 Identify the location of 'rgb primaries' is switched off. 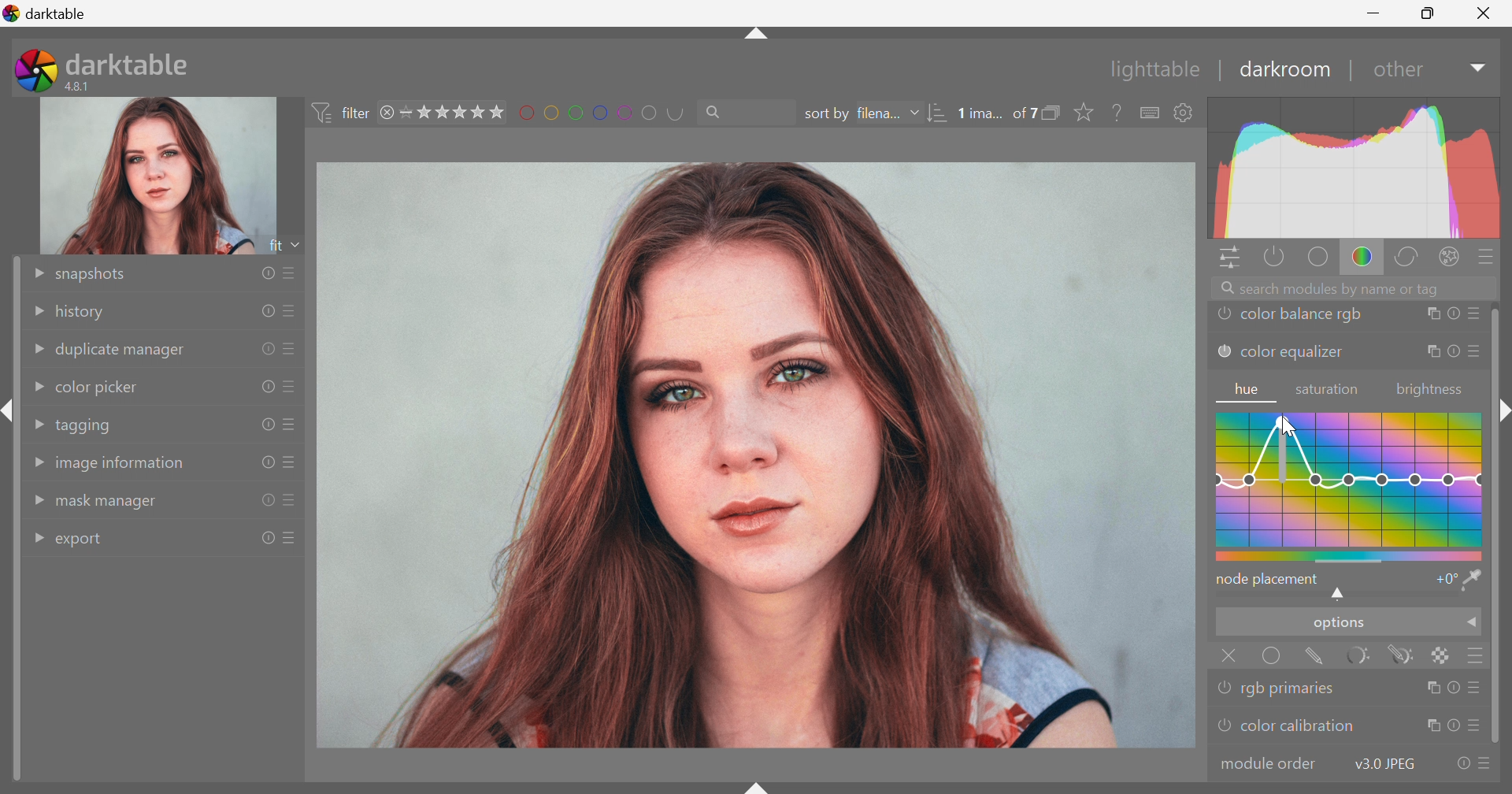
(1225, 686).